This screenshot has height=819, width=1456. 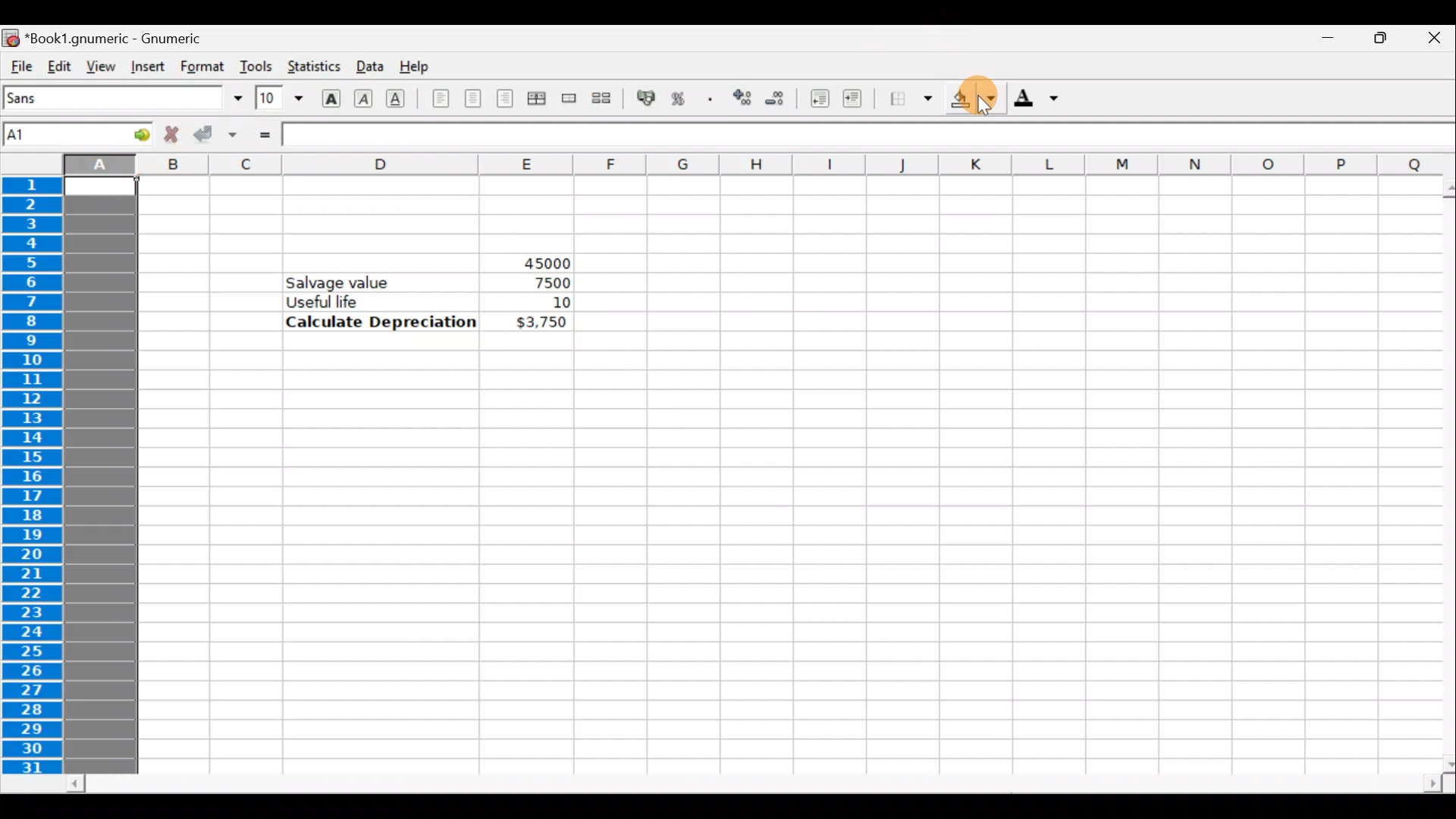 What do you see at coordinates (1433, 40) in the screenshot?
I see `Close` at bounding box center [1433, 40].